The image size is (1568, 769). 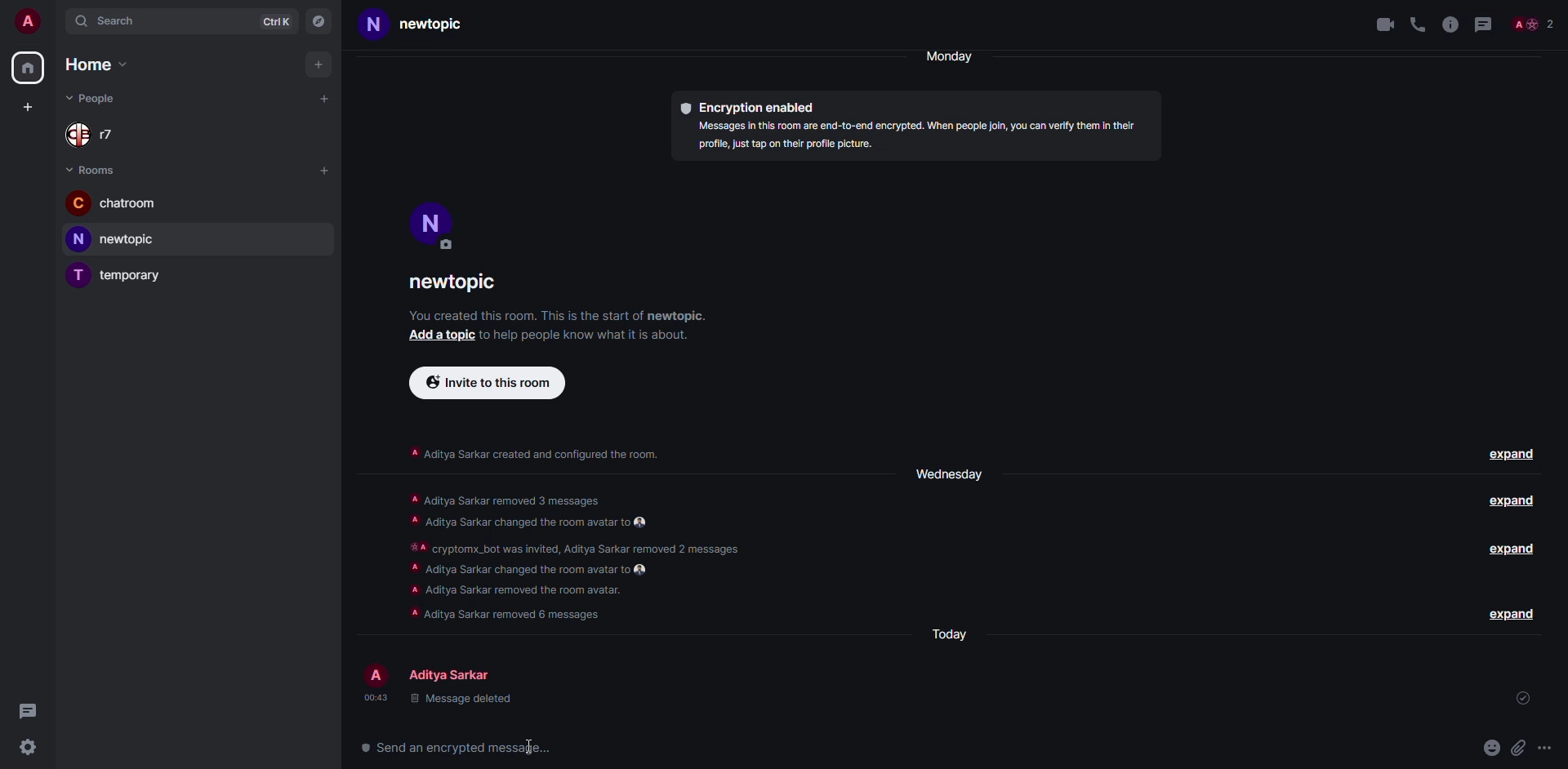 What do you see at coordinates (1488, 24) in the screenshot?
I see `threads` at bounding box center [1488, 24].